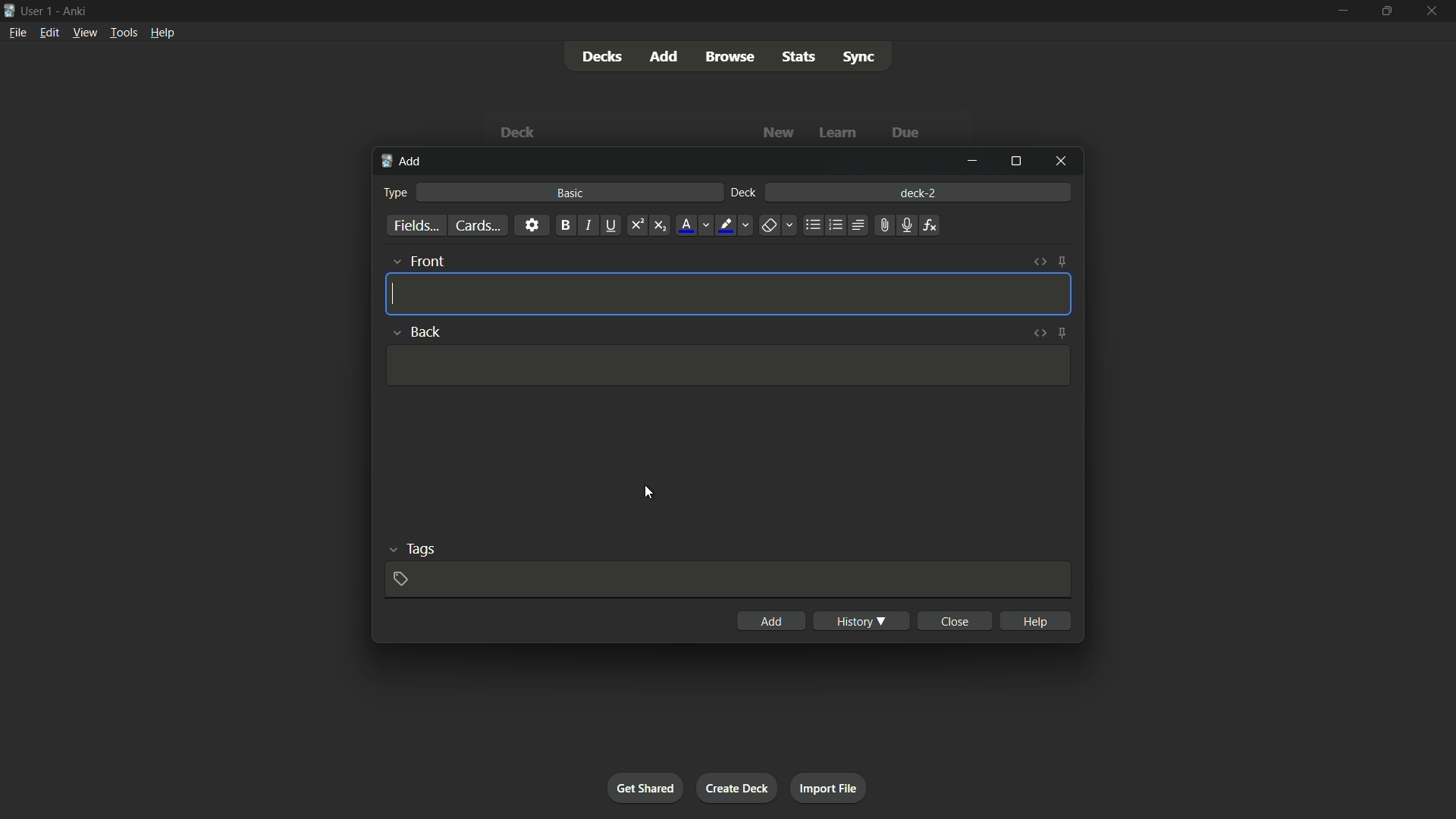 This screenshot has height=819, width=1456. Describe the element at coordinates (1034, 620) in the screenshot. I see `help` at that location.